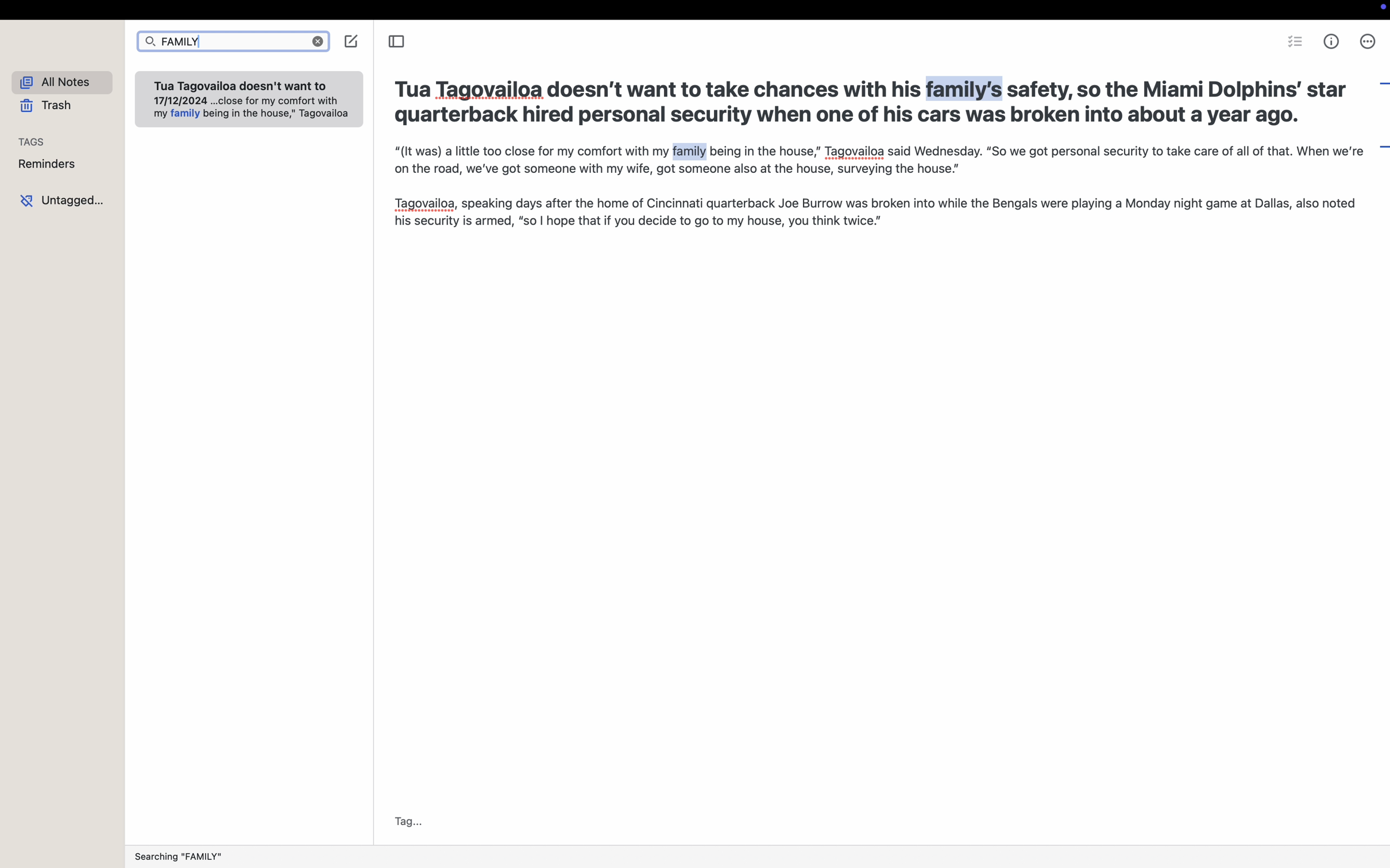  What do you see at coordinates (1294, 40) in the screenshot?
I see `check list` at bounding box center [1294, 40].